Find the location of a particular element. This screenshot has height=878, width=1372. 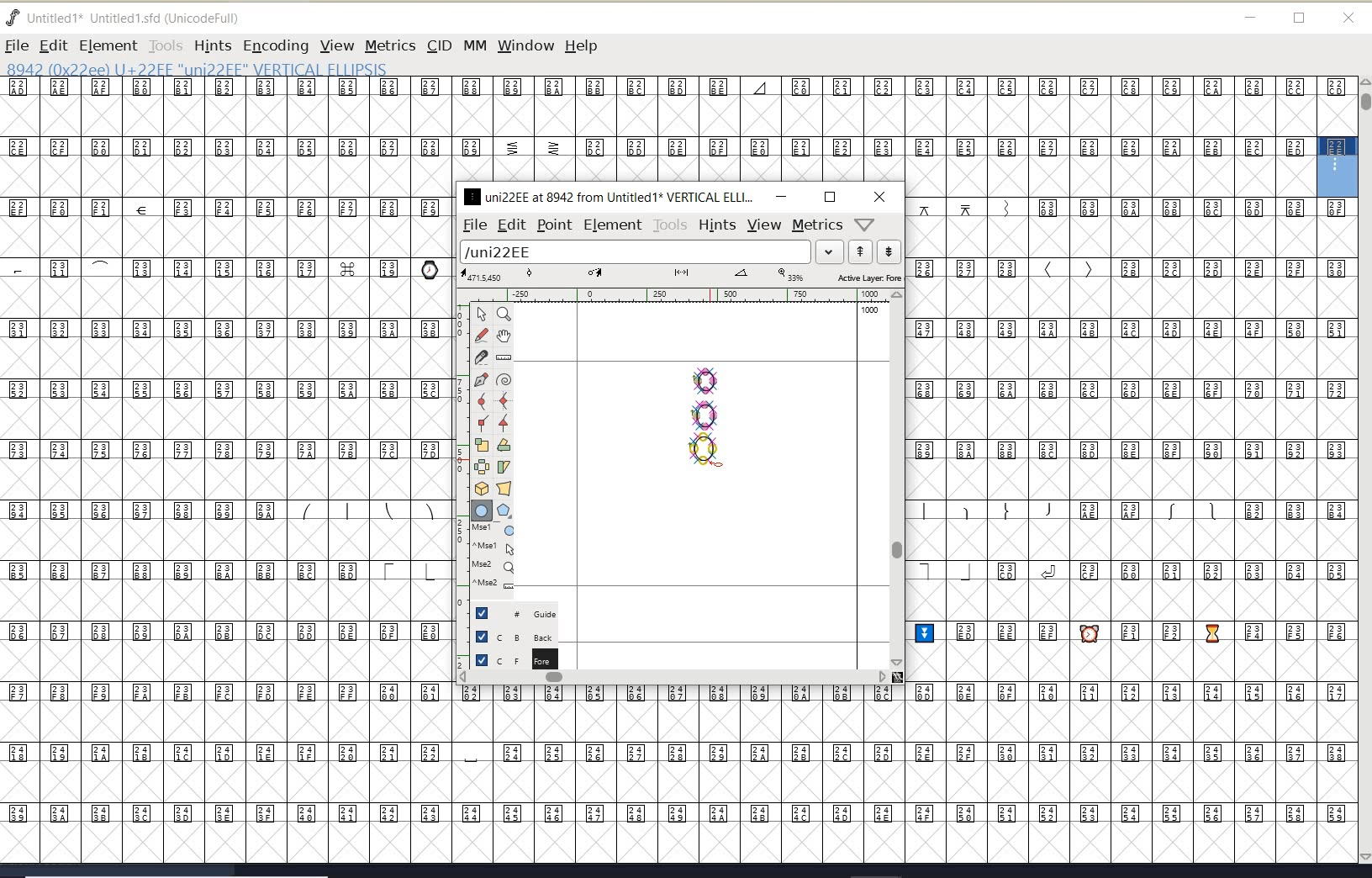

EDIT is located at coordinates (53, 45).